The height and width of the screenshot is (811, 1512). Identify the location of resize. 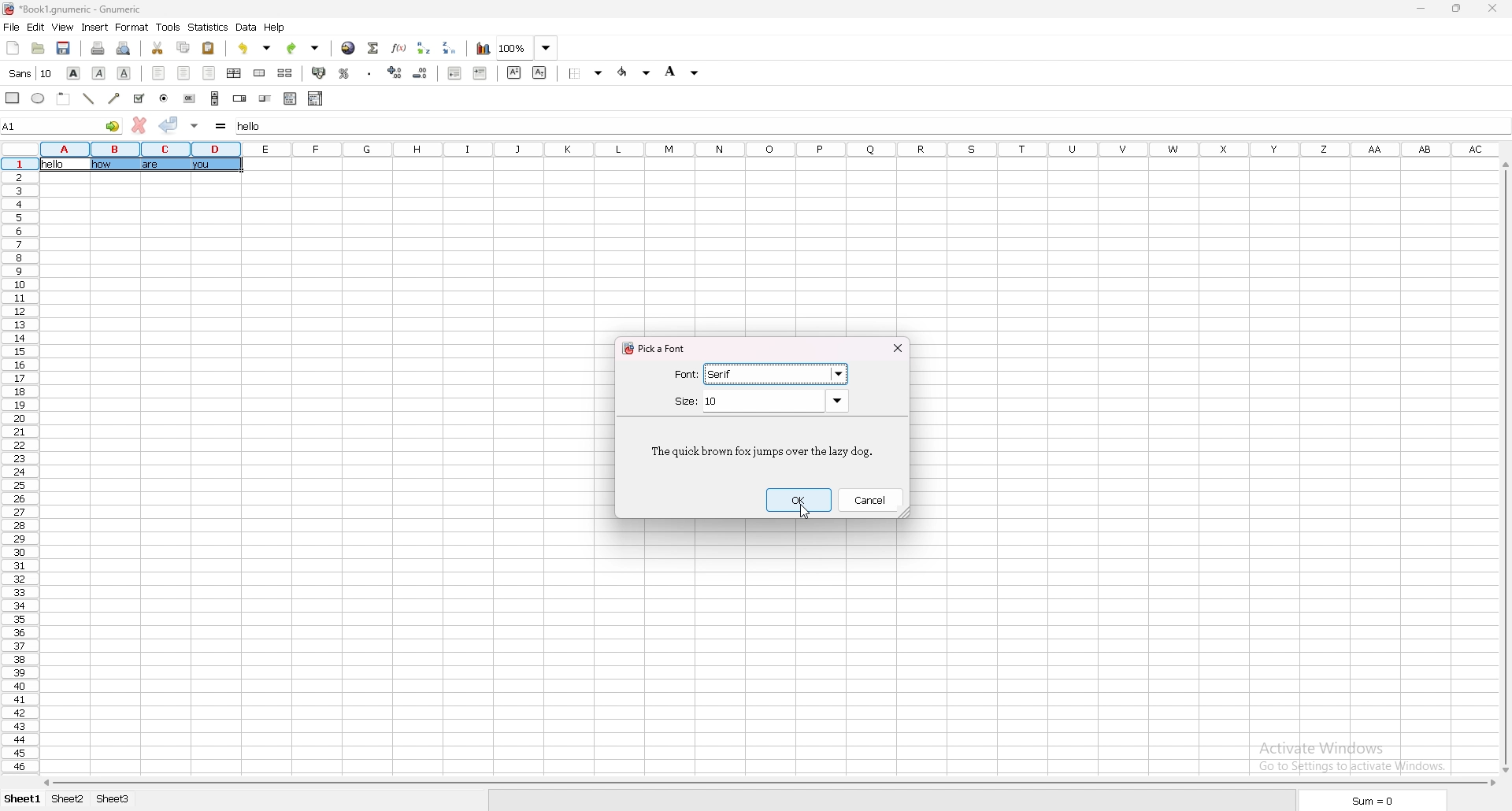
(1459, 8).